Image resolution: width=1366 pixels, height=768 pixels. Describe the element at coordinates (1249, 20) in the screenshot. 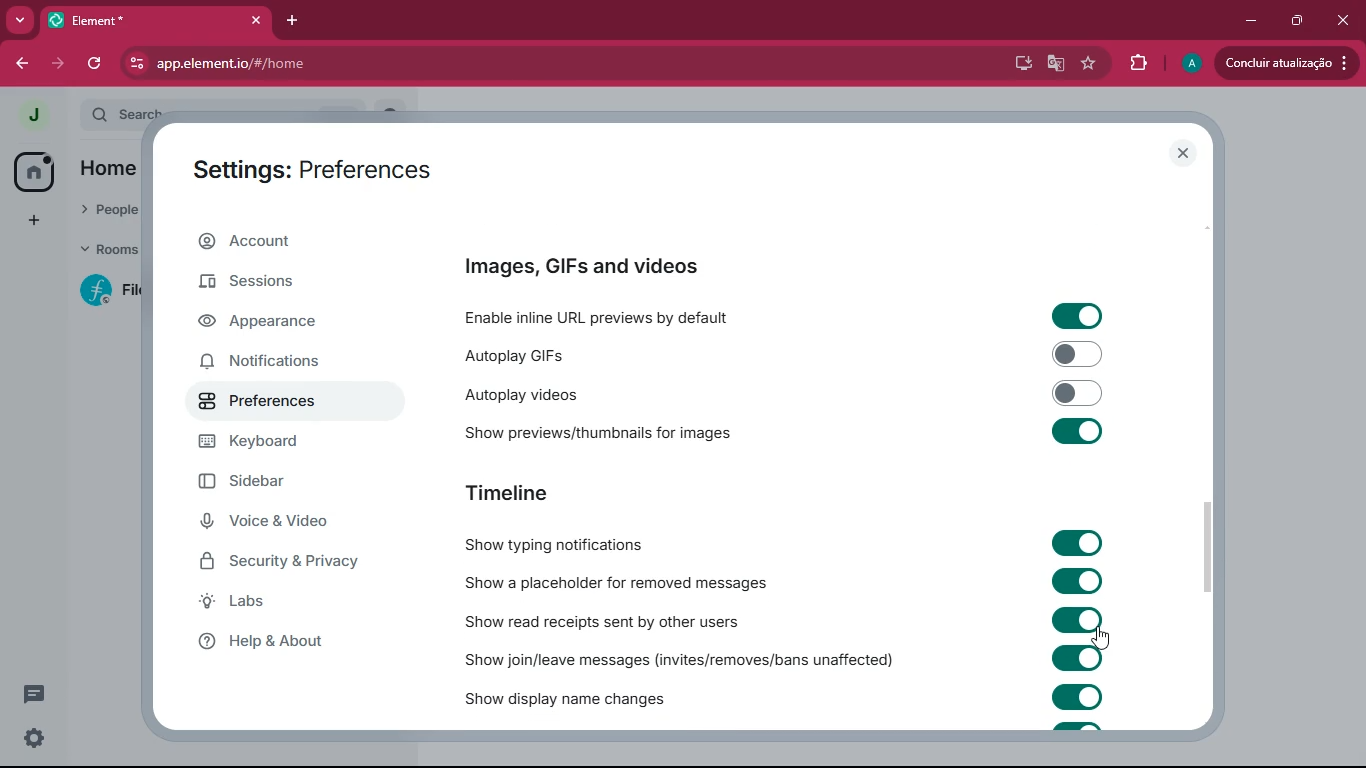

I see `minimize` at that location.